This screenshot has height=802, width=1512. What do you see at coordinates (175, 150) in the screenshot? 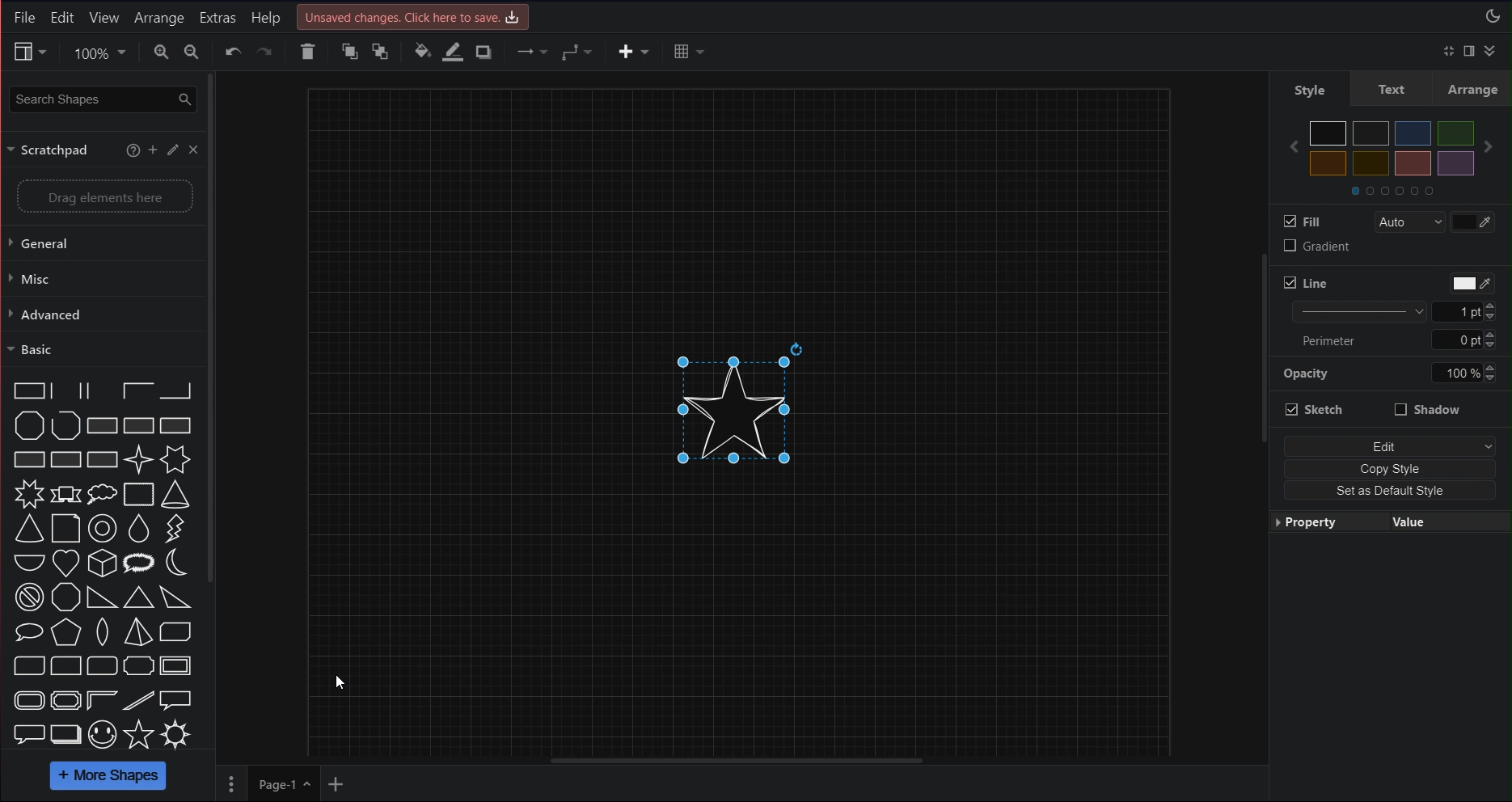
I see `Edit` at bounding box center [175, 150].